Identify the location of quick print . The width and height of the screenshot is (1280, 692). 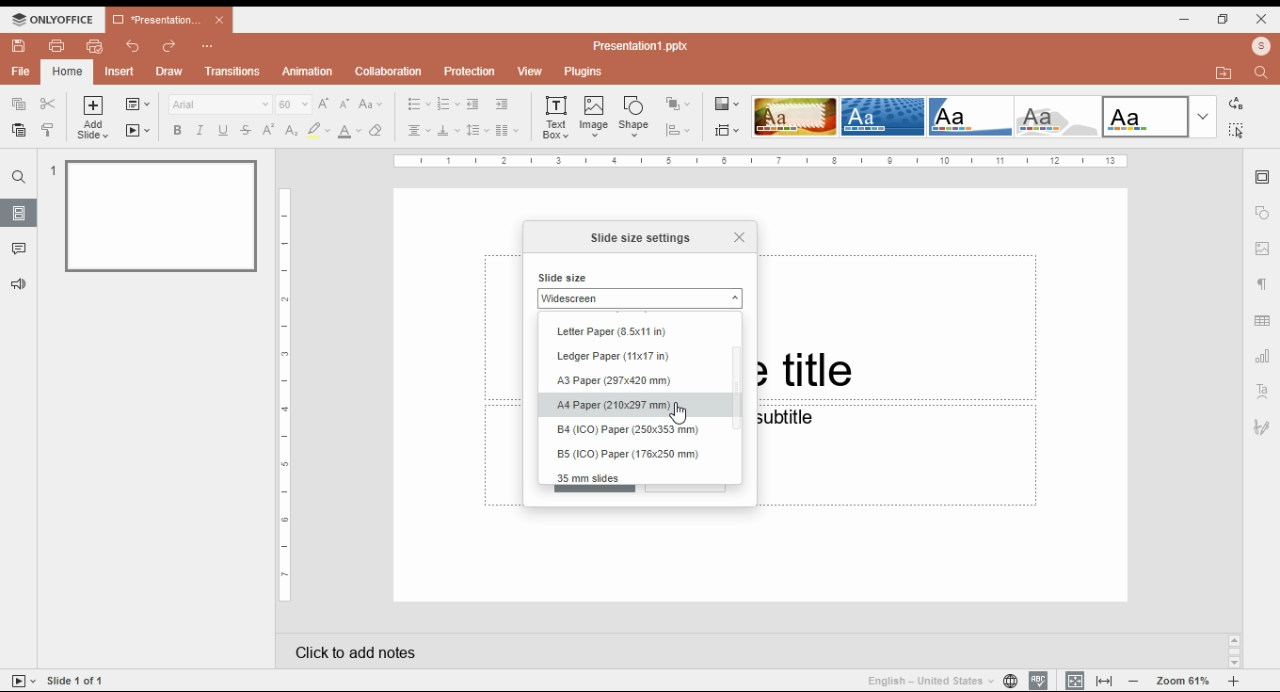
(95, 46).